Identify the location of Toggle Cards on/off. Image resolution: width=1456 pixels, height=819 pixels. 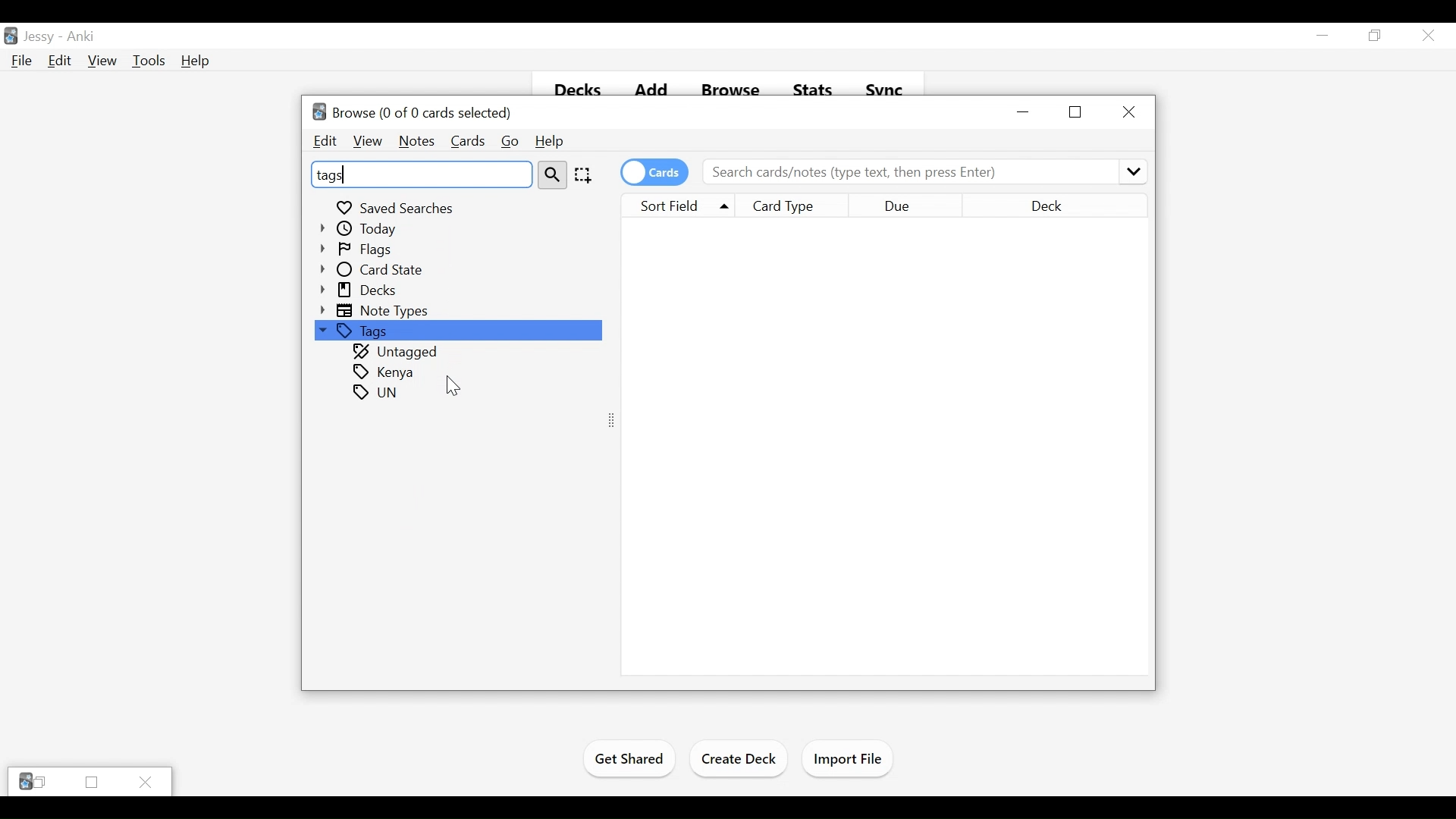
(654, 172).